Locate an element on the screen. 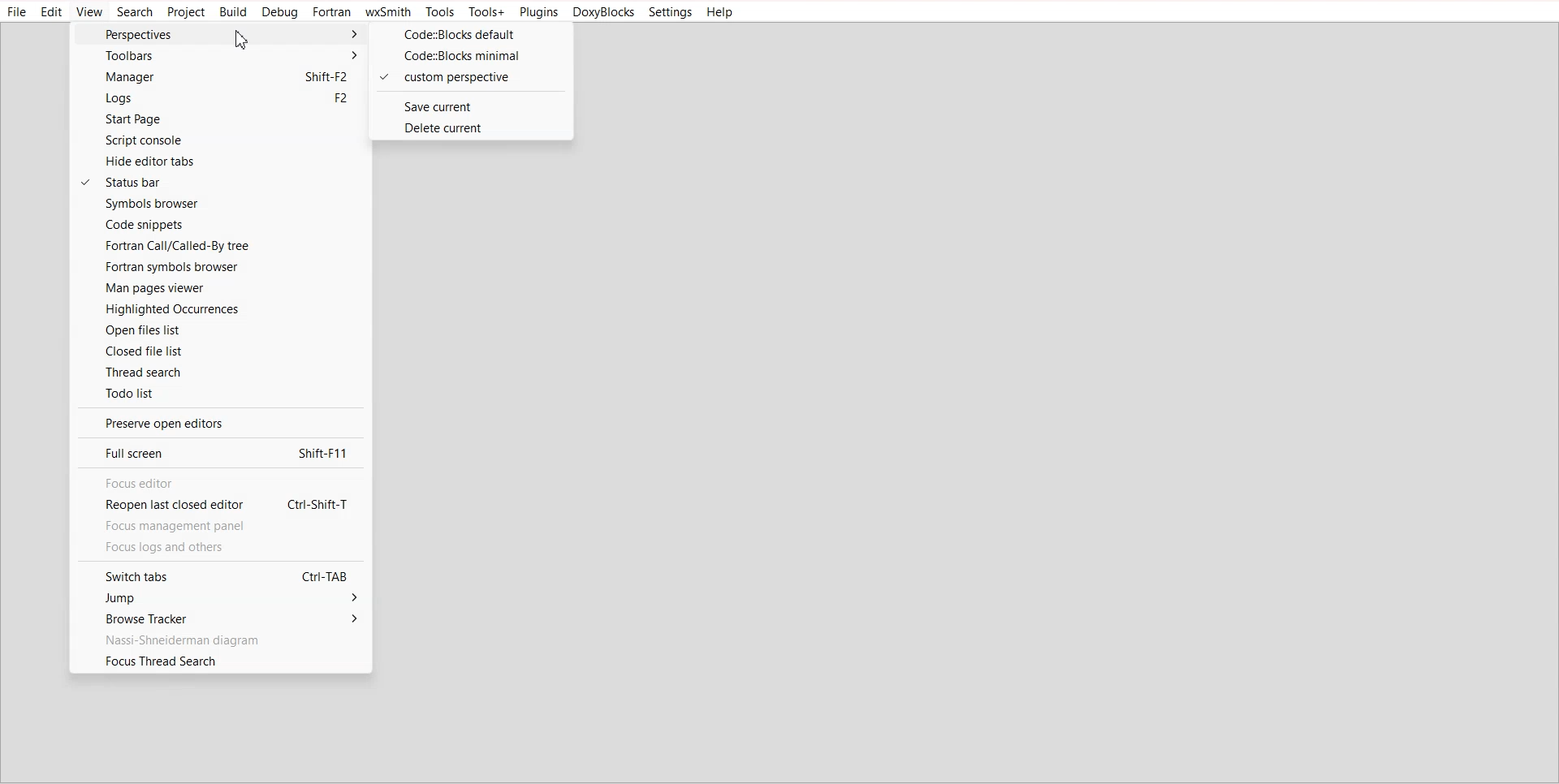 Image resolution: width=1559 pixels, height=784 pixels. Project is located at coordinates (187, 13).